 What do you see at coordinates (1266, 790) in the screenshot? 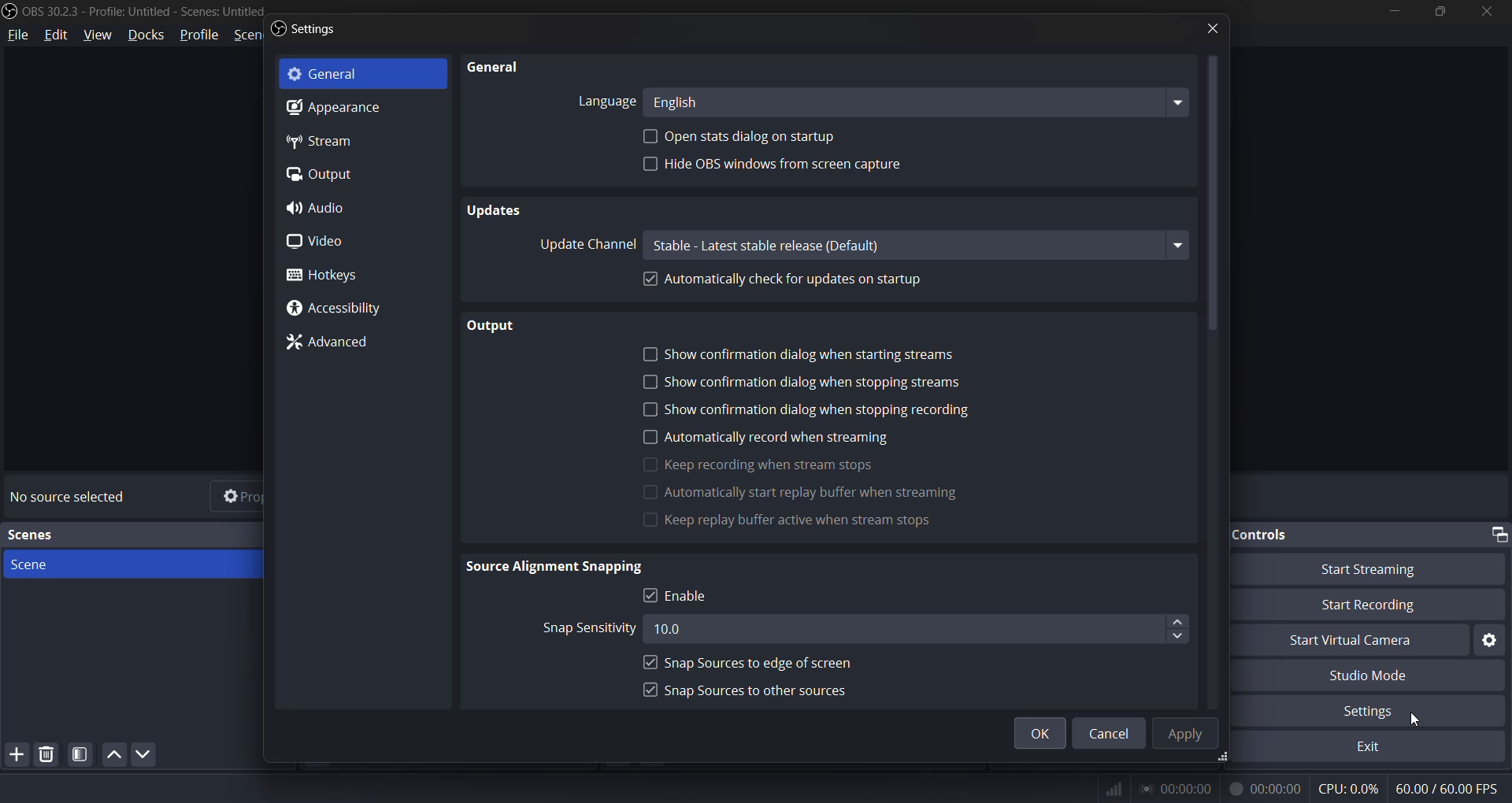
I see `00:00:00` at bounding box center [1266, 790].